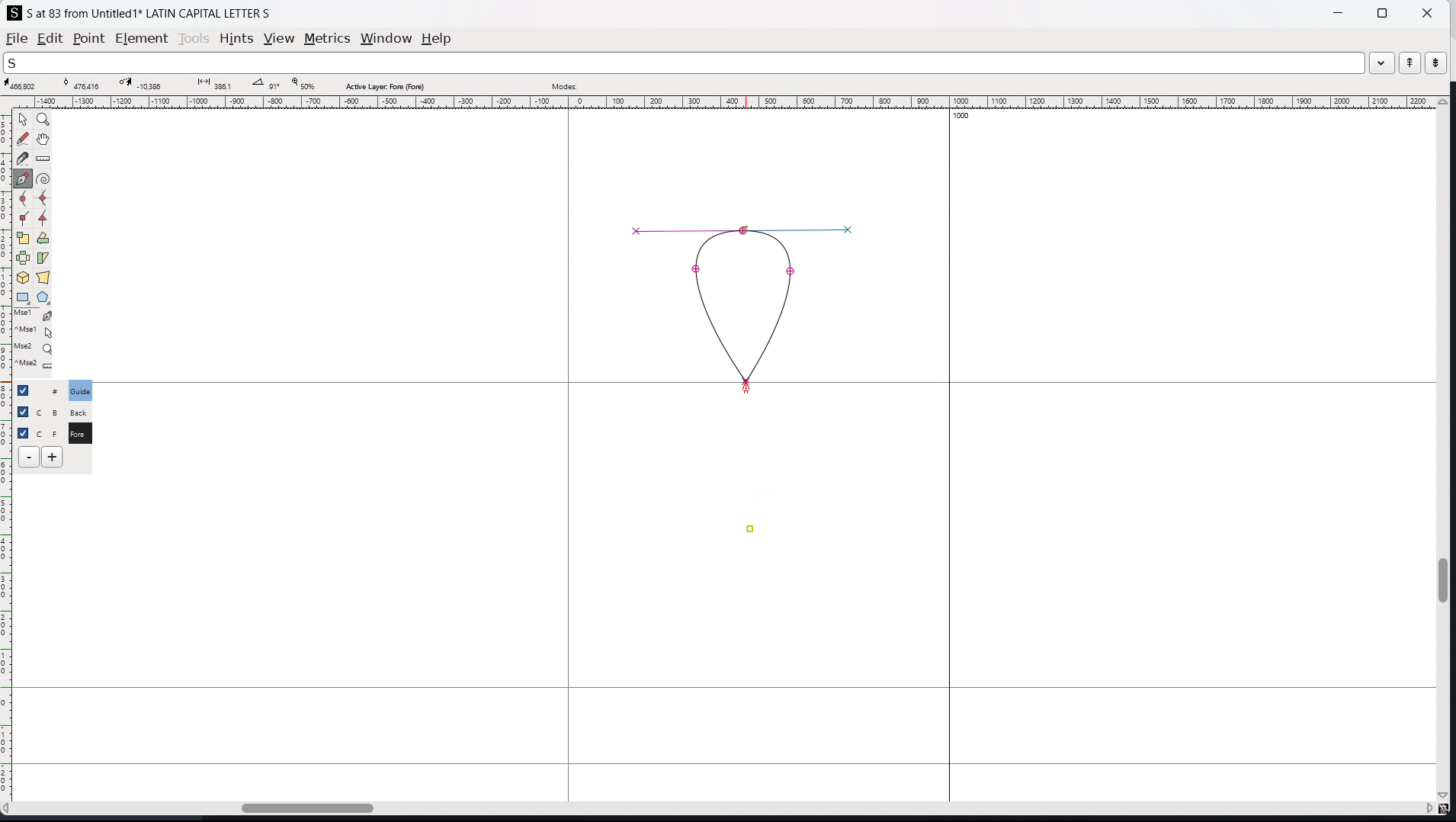 The width and height of the screenshot is (1456, 822). Describe the element at coordinates (720, 102) in the screenshot. I see `horizontal ruler` at that location.